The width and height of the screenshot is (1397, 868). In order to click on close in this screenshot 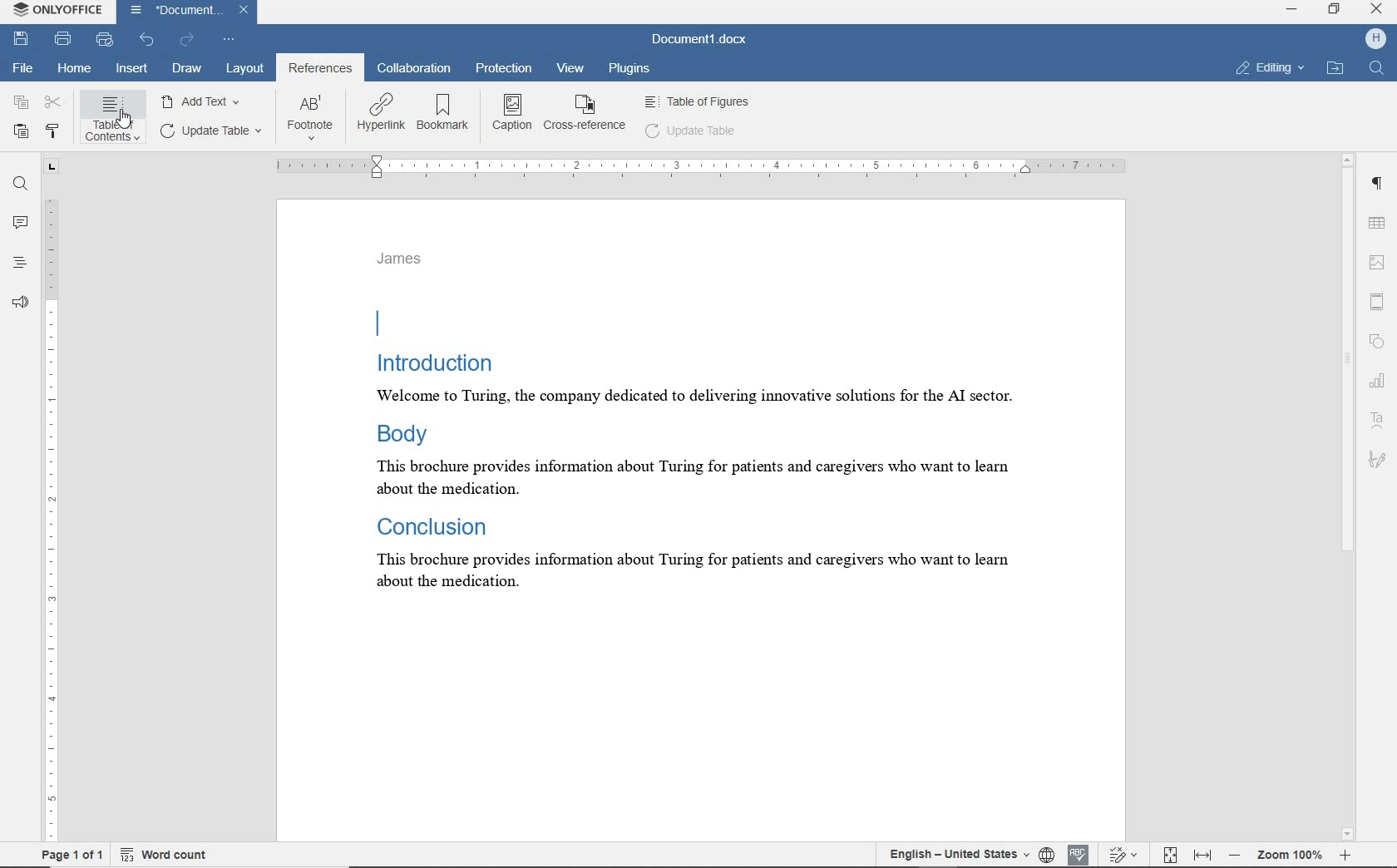, I will do `click(1377, 11)`.